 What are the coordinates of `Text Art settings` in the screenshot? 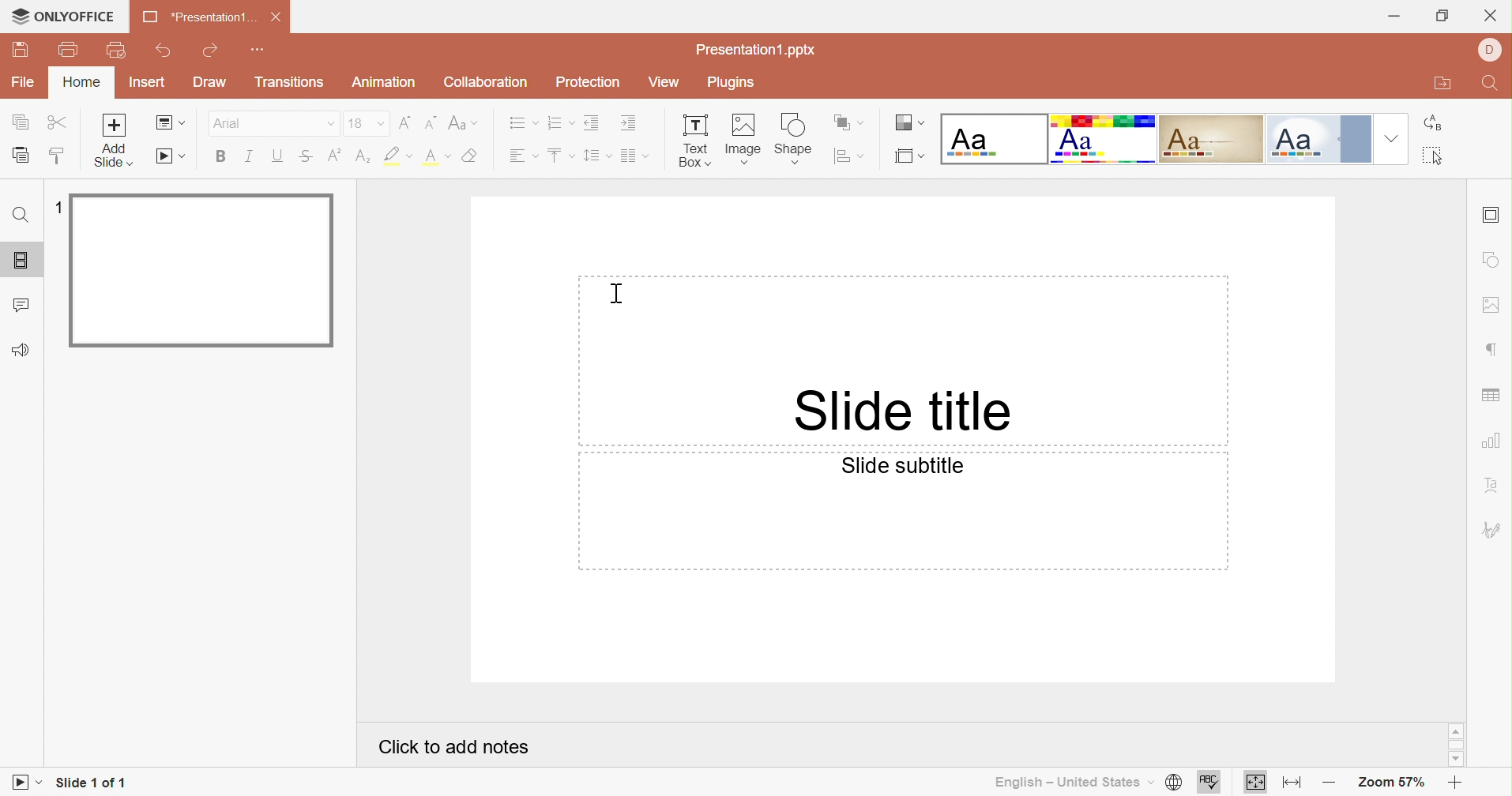 It's located at (1495, 485).